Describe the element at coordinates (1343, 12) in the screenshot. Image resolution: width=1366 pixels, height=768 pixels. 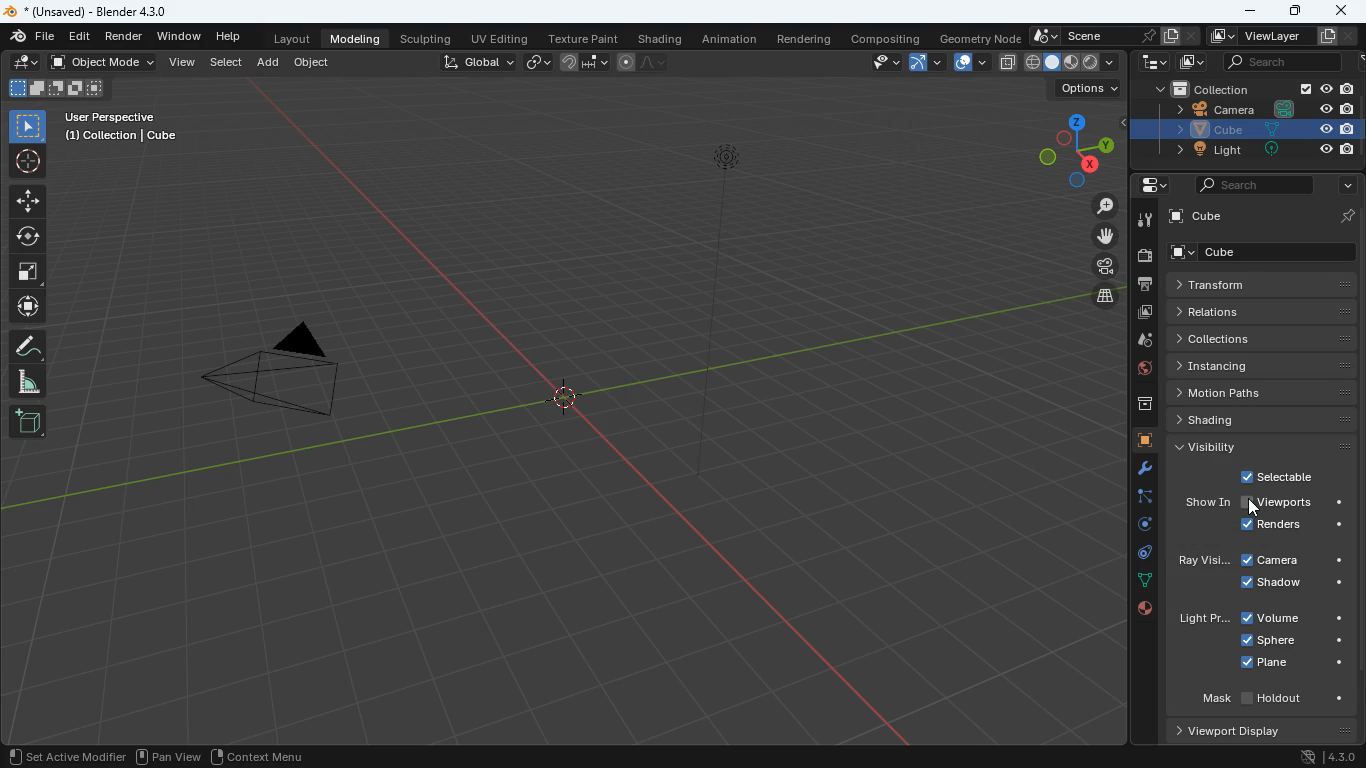
I see `close` at that location.